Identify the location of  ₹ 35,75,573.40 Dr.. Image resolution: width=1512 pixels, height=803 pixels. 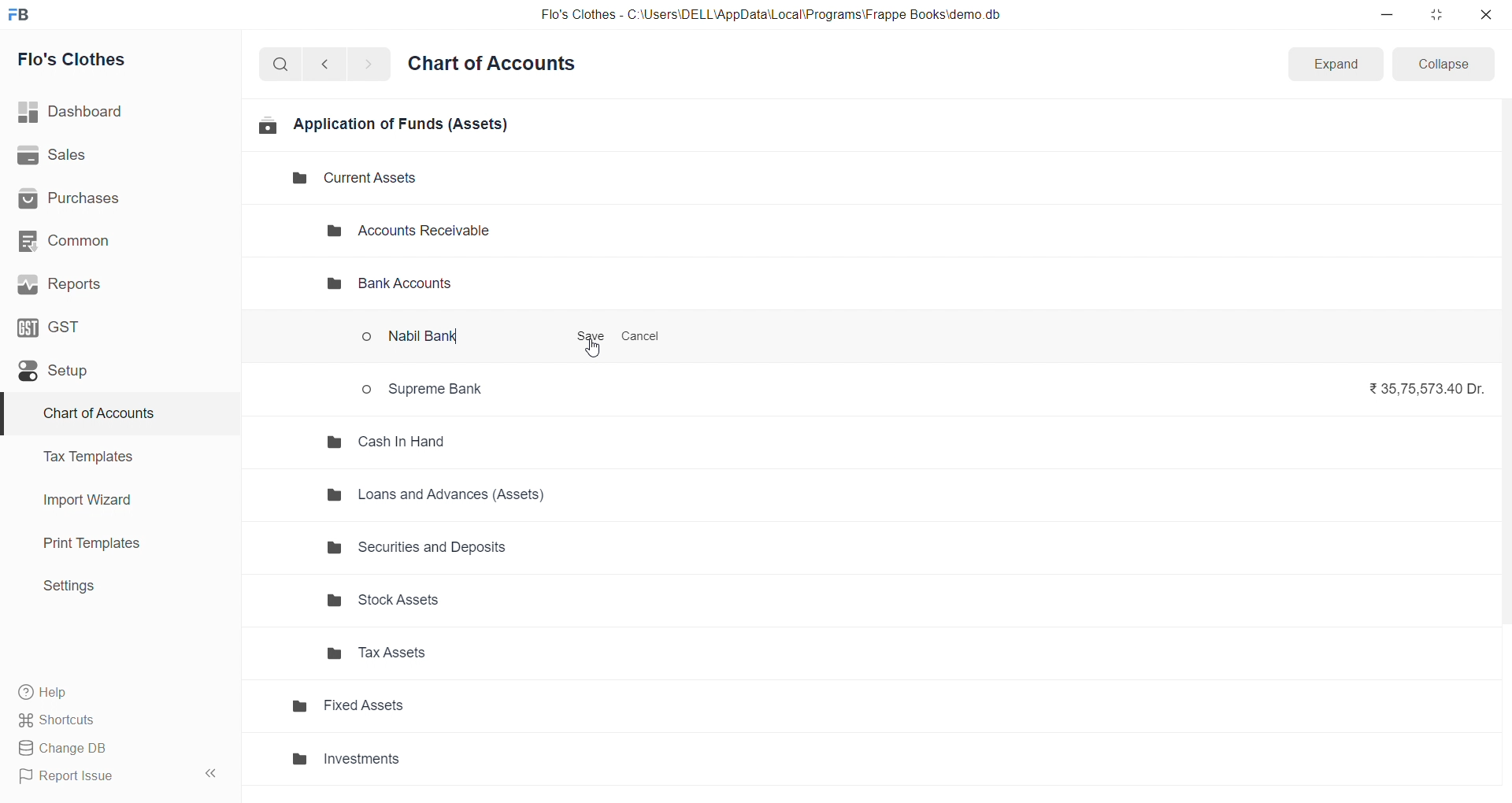
(1421, 387).